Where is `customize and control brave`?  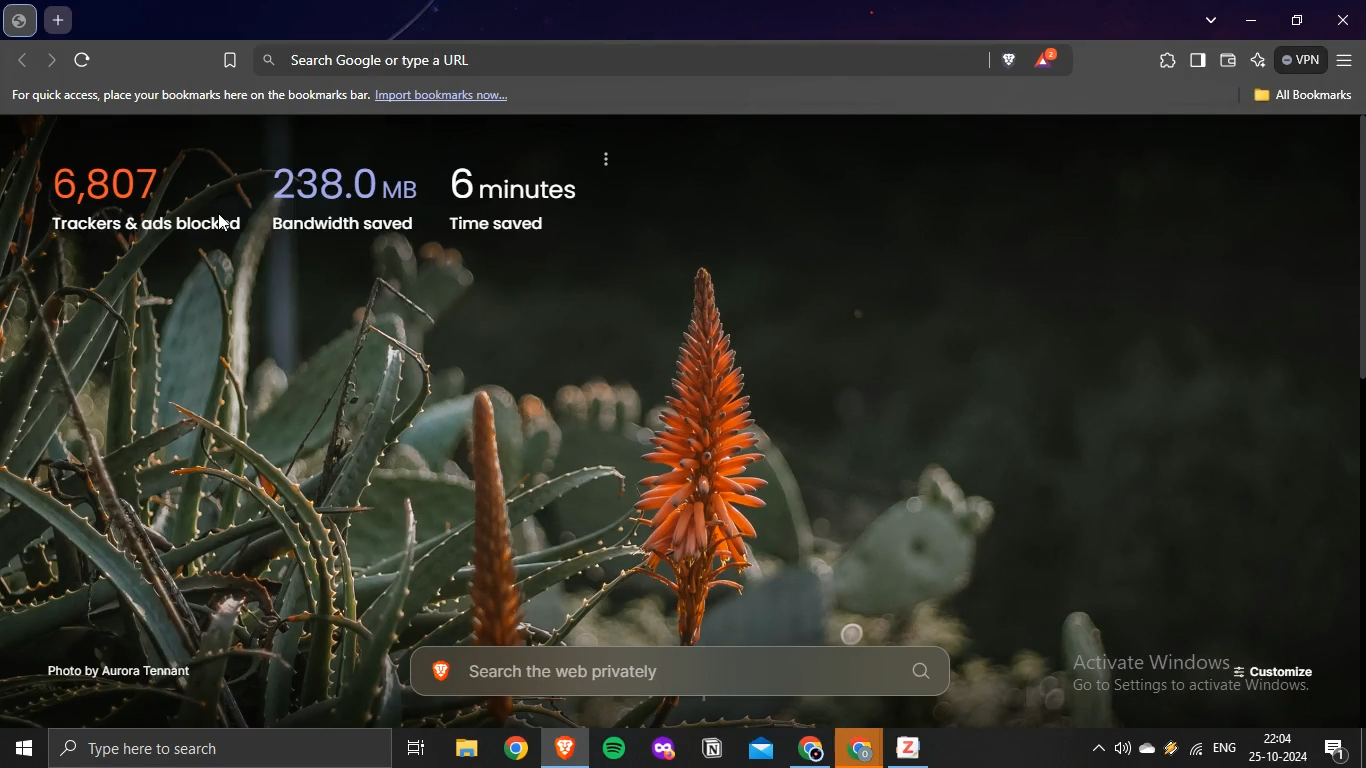 customize and control brave is located at coordinates (1346, 62).